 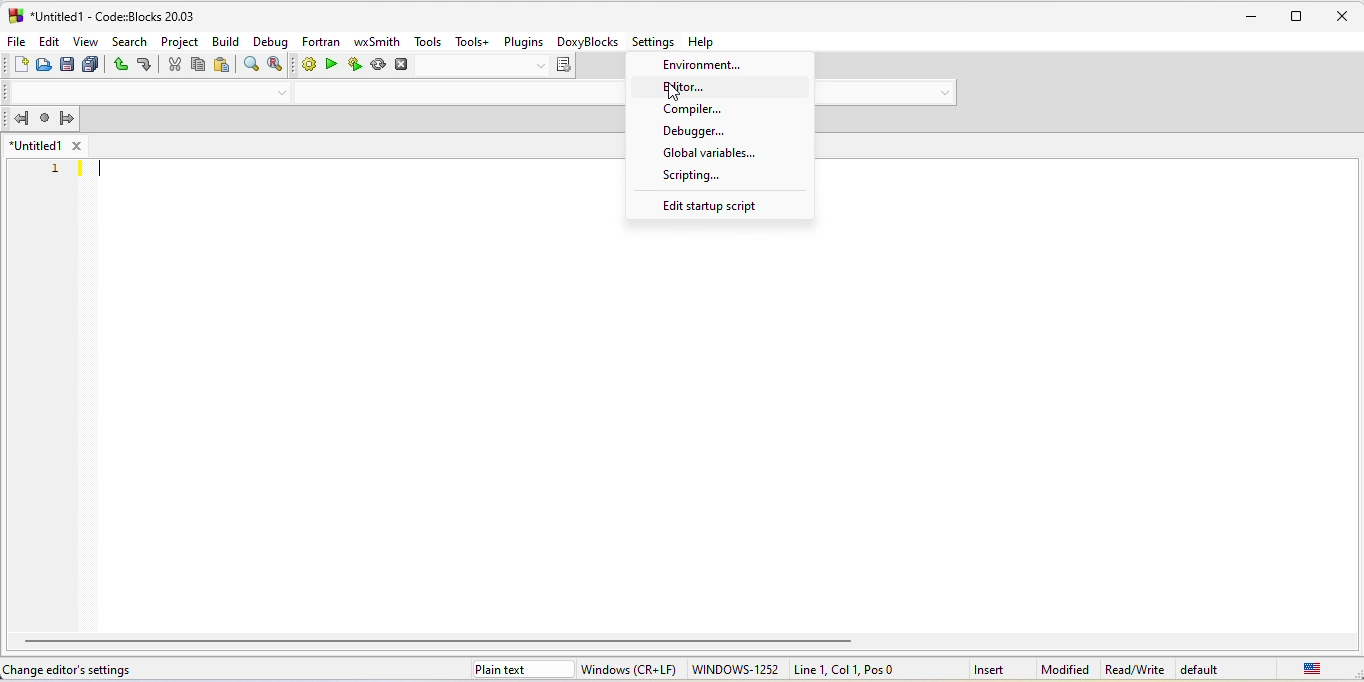 What do you see at coordinates (355, 64) in the screenshot?
I see `build and run` at bounding box center [355, 64].